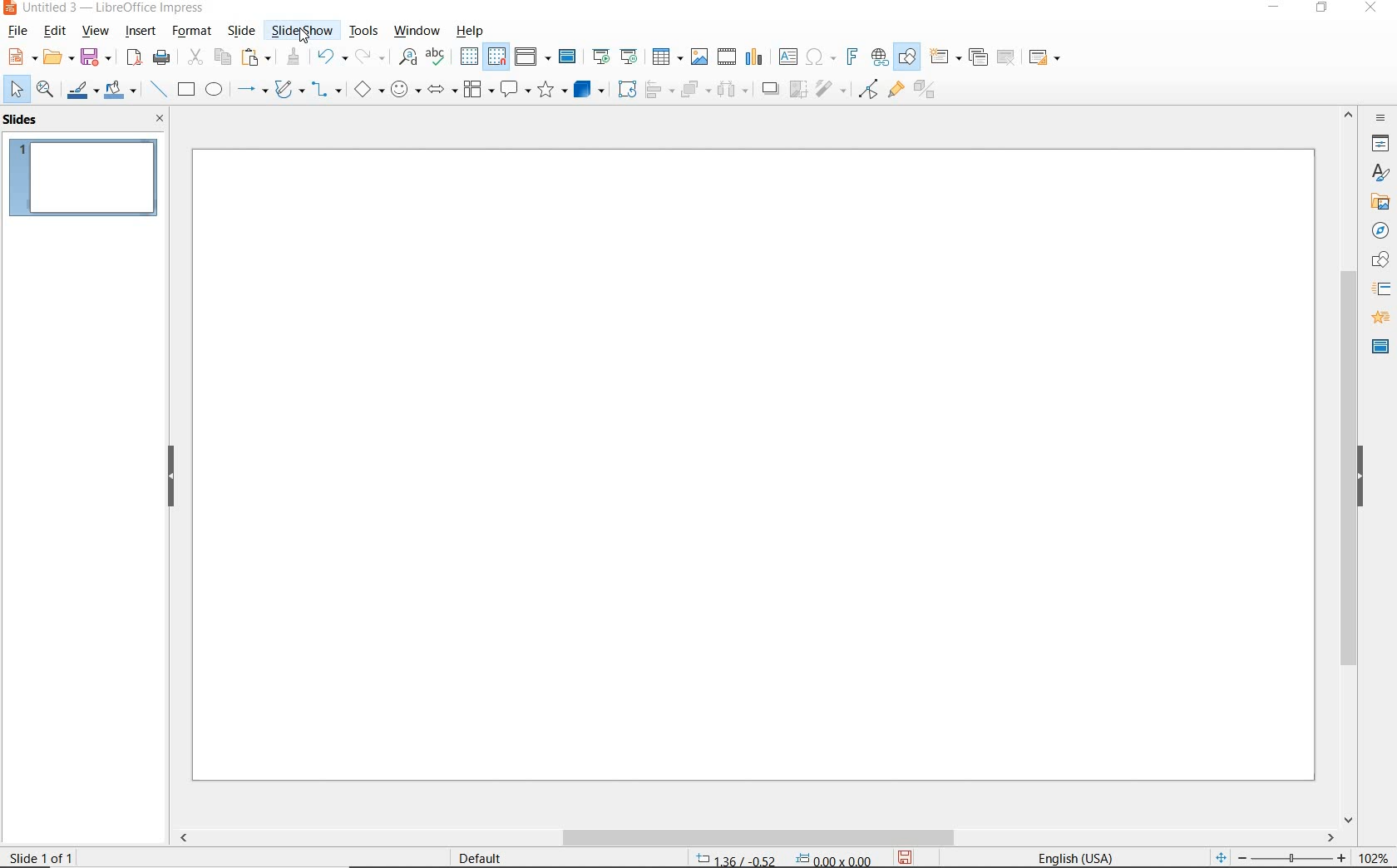 This screenshot has height=868, width=1397. What do you see at coordinates (513, 91) in the screenshot?
I see `CALLOUT SHAPES` at bounding box center [513, 91].